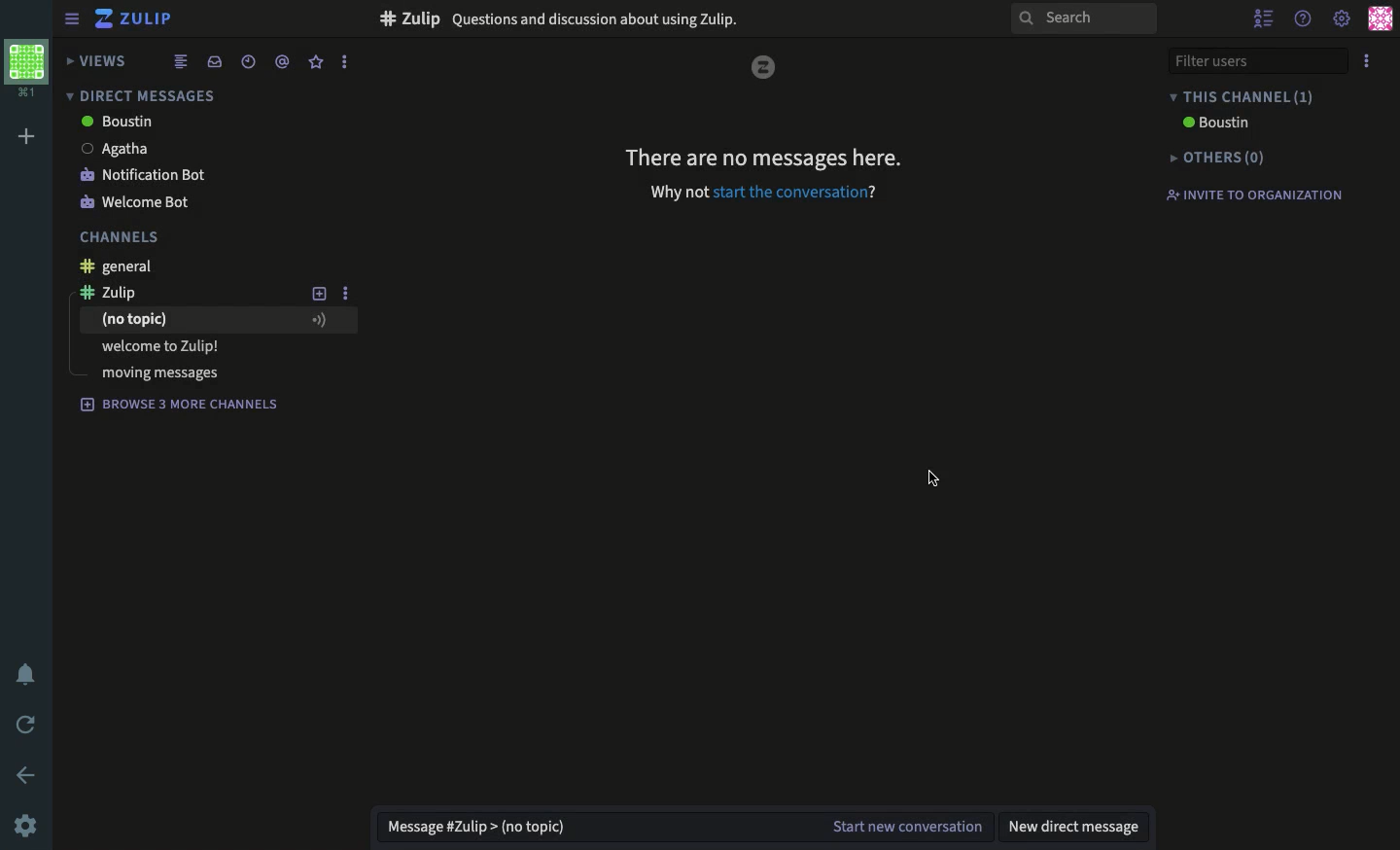  I want to click on Boston, so click(1212, 125).